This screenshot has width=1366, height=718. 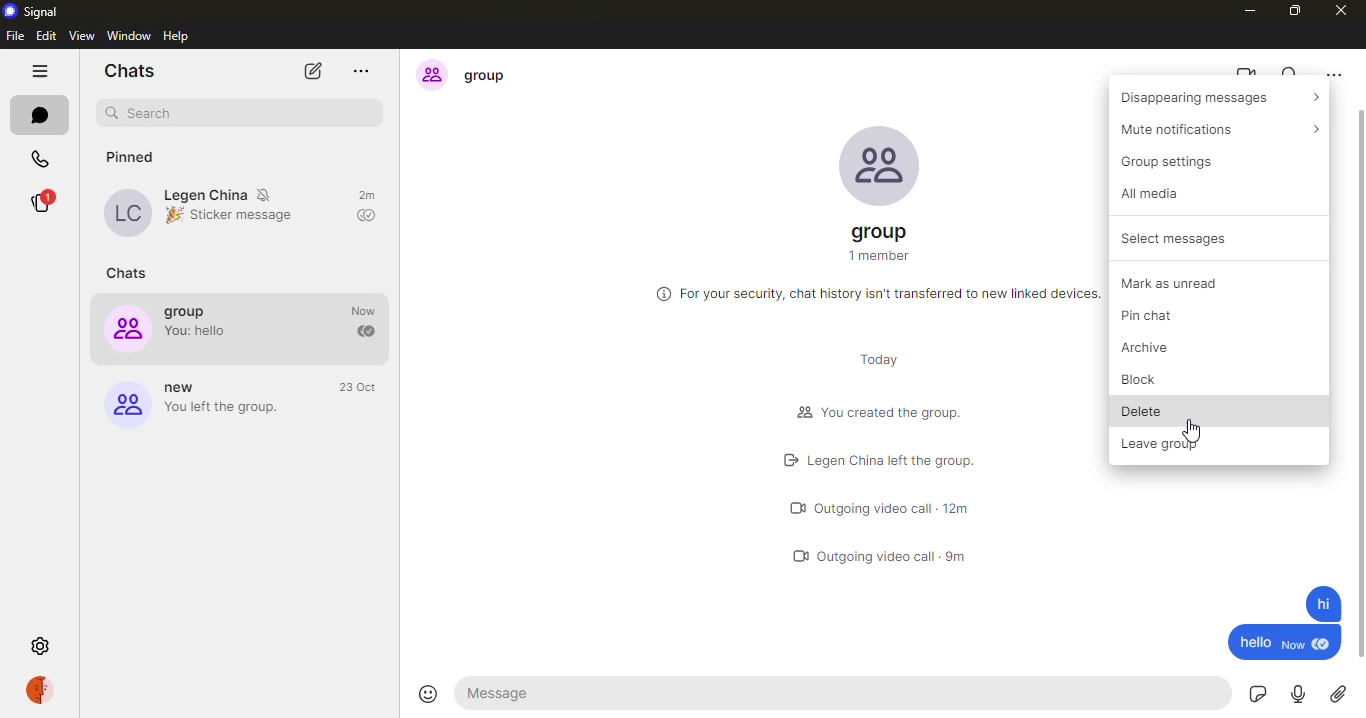 I want to click on profile icon, so click(x=429, y=74).